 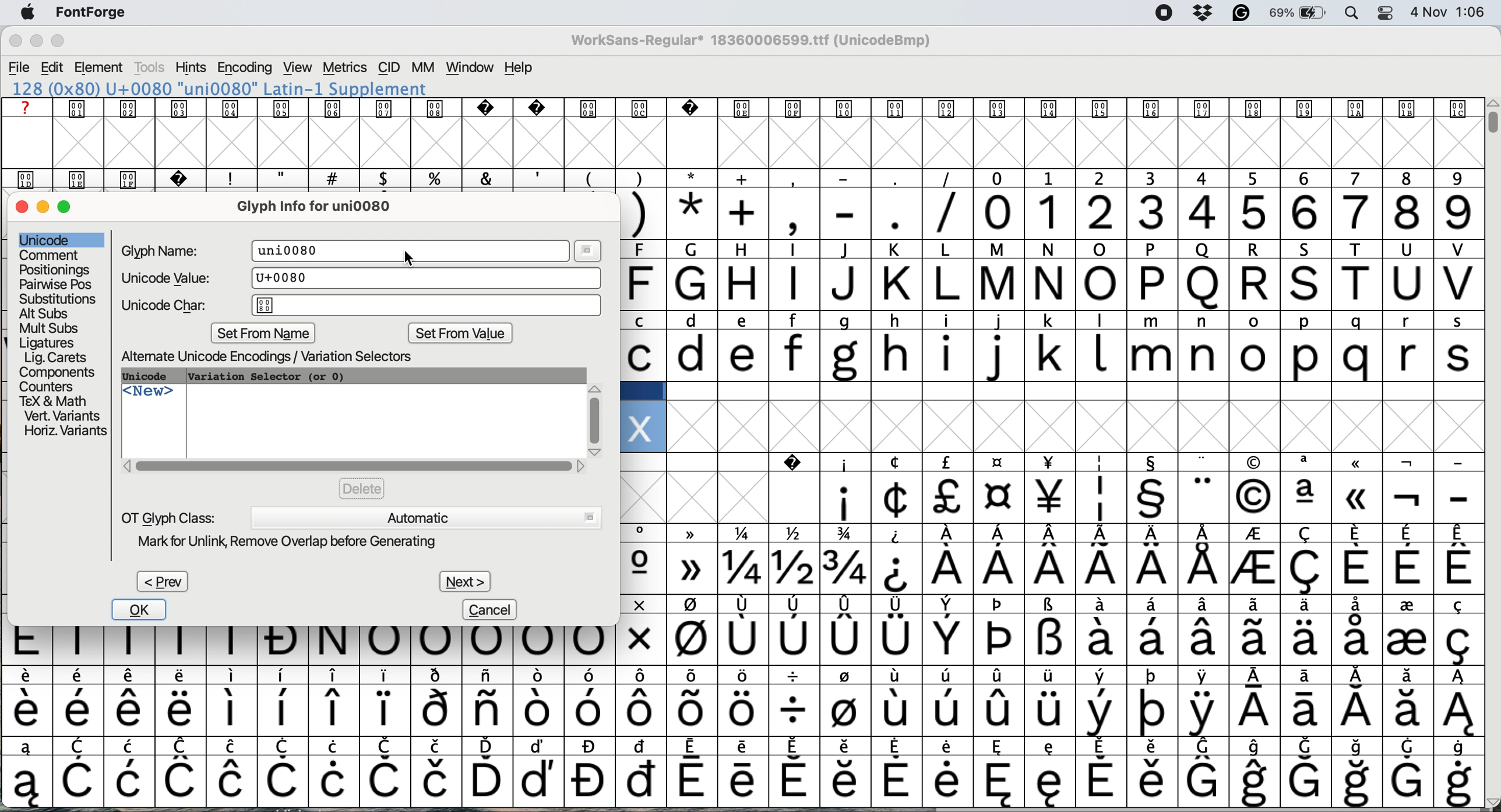 I want to click on ok, so click(x=141, y=610).